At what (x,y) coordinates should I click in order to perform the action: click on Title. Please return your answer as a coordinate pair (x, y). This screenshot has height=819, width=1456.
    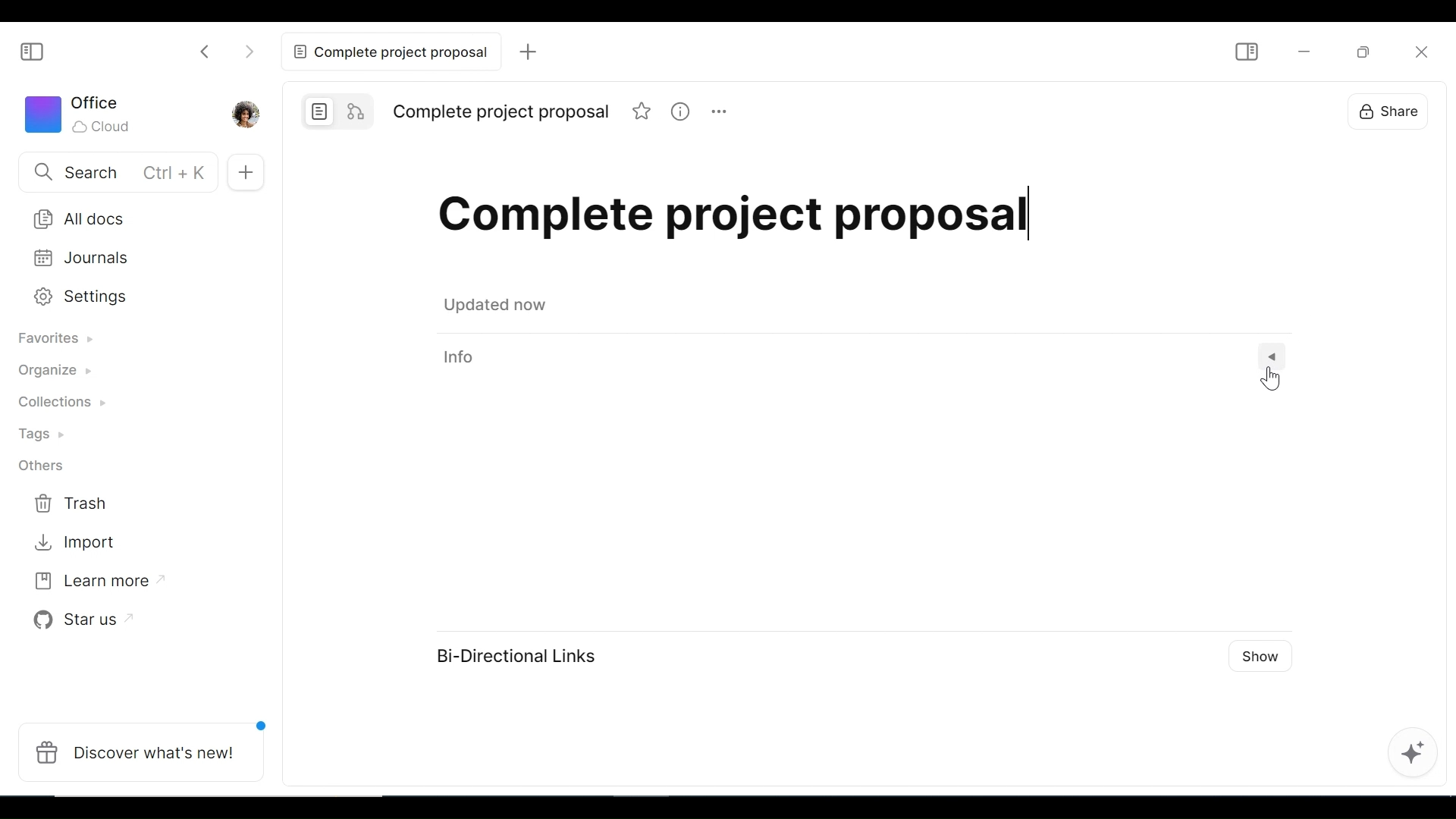
    Looking at the image, I should click on (736, 214).